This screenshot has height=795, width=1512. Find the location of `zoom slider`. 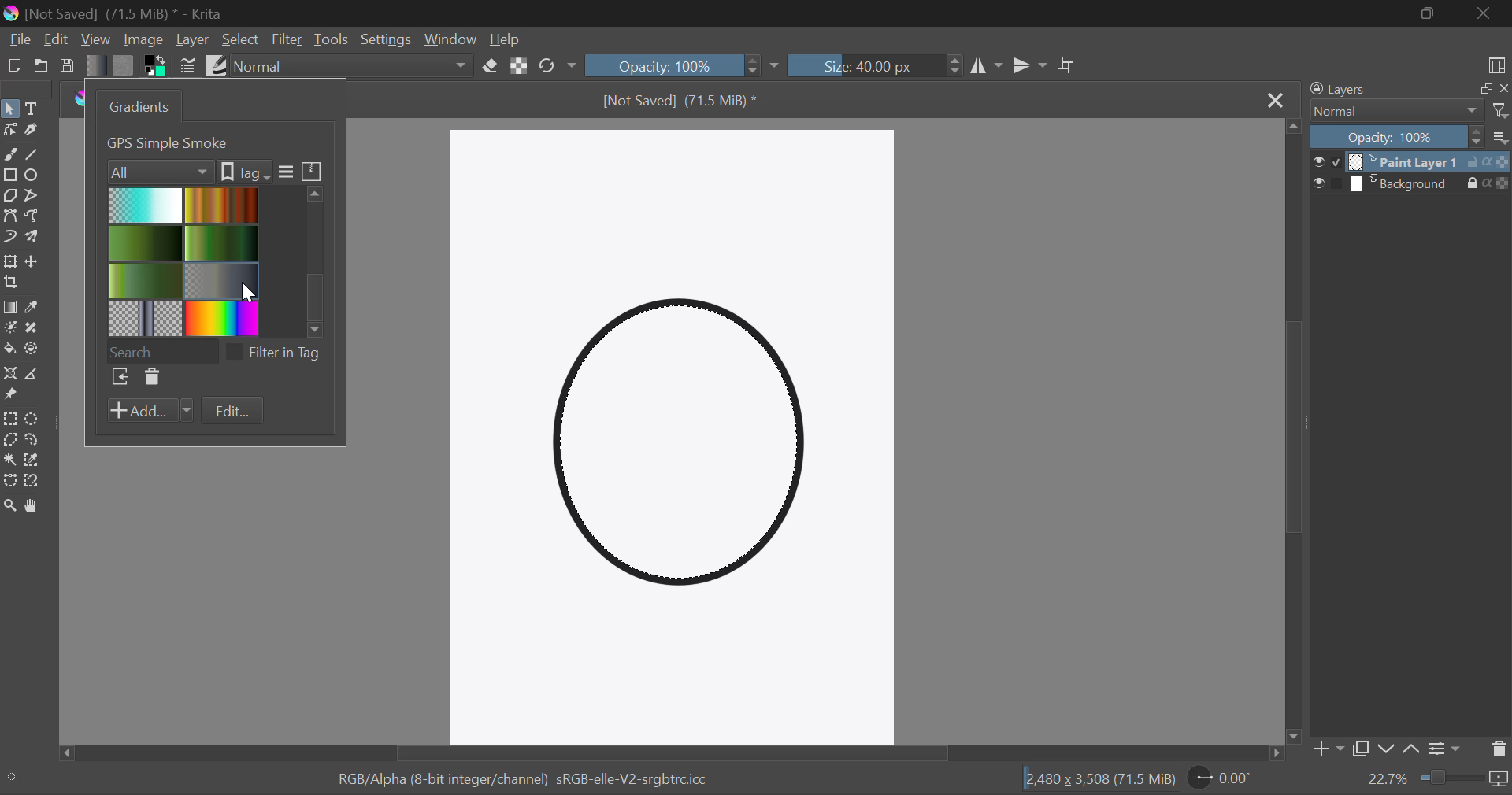

zoom slider is located at coordinates (1453, 776).